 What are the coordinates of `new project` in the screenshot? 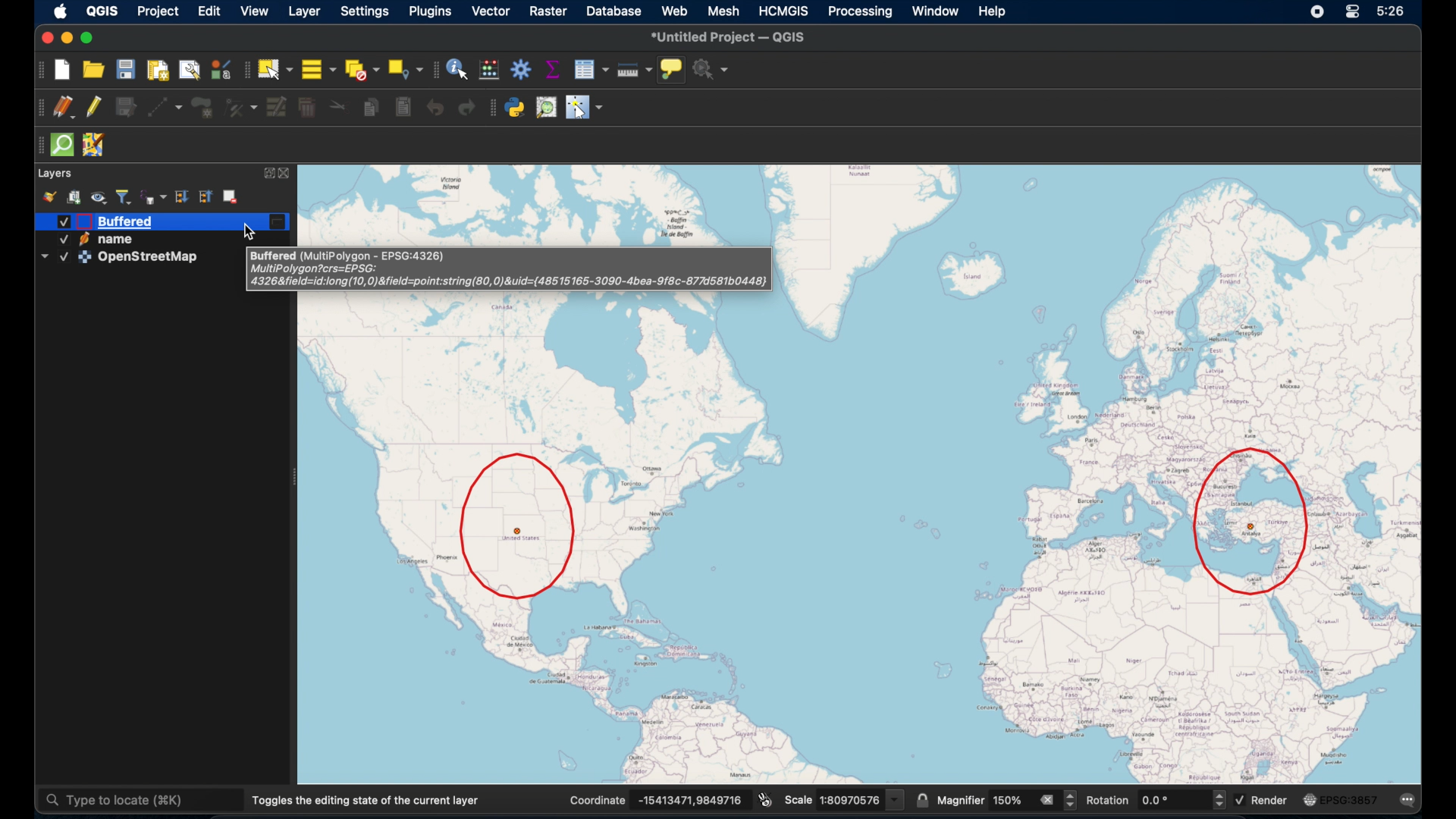 It's located at (61, 69).